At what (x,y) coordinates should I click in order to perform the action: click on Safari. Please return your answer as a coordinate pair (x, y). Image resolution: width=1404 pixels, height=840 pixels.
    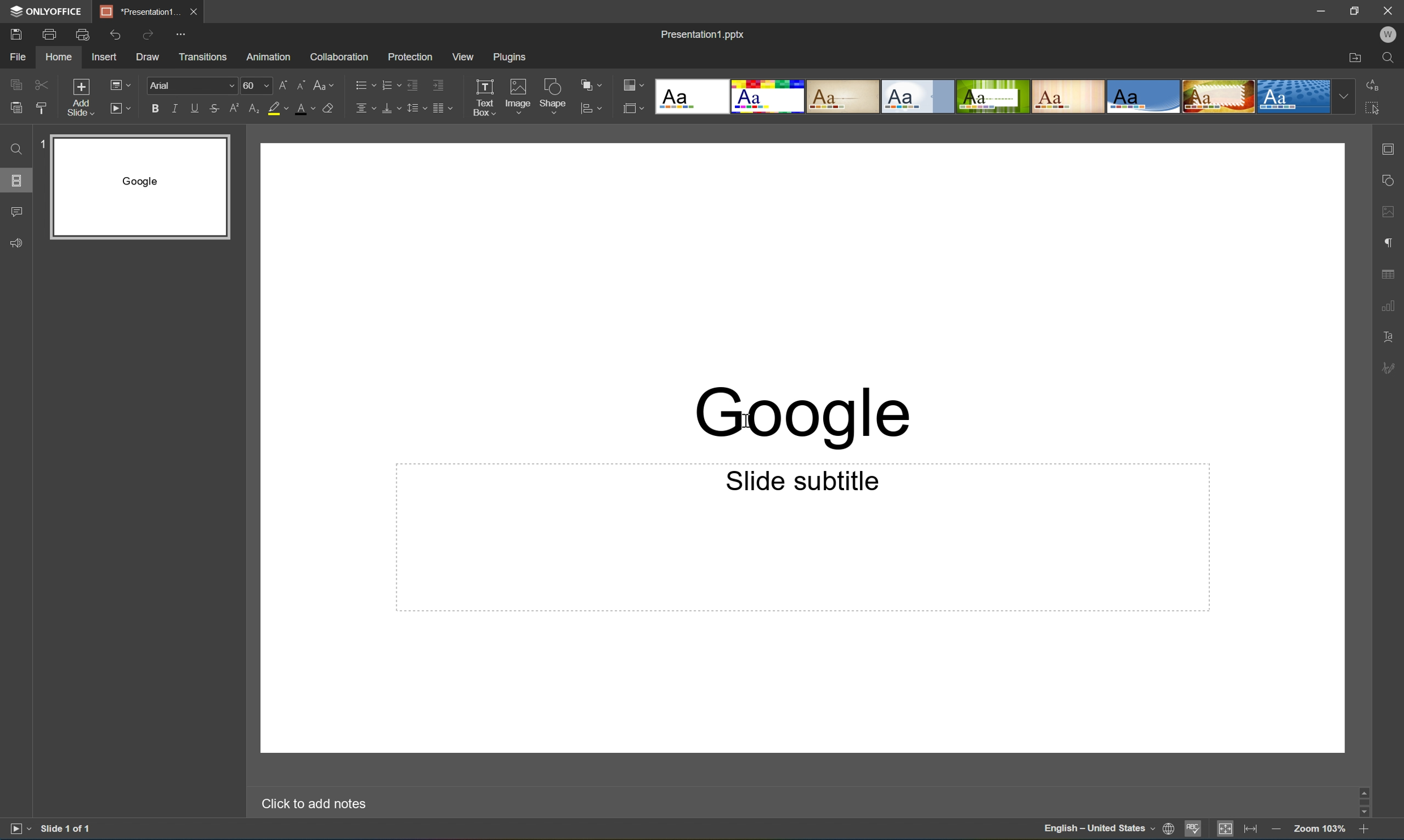
    Looking at the image, I should click on (1219, 98).